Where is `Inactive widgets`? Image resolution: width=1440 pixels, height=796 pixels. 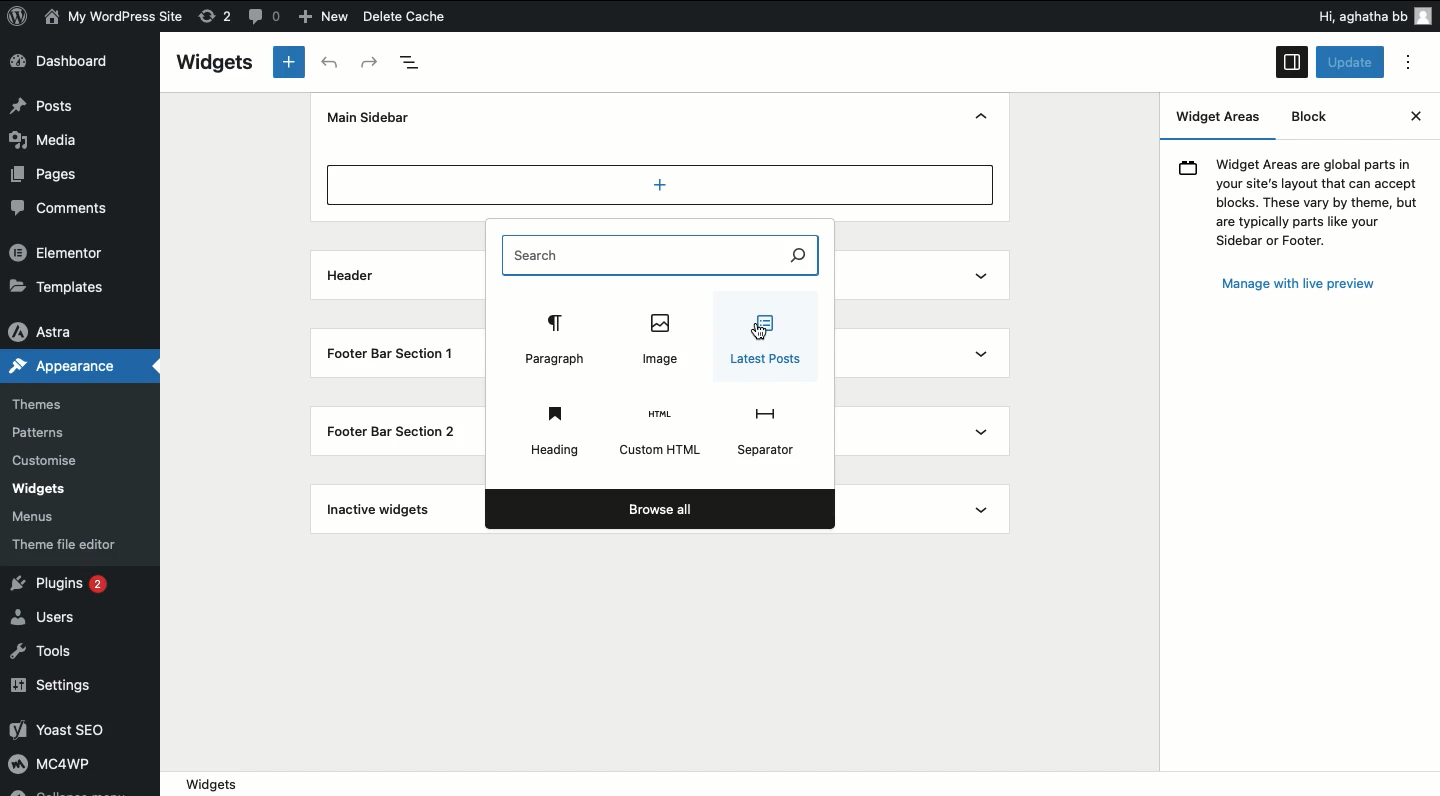
Inactive widgets is located at coordinates (386, 510).